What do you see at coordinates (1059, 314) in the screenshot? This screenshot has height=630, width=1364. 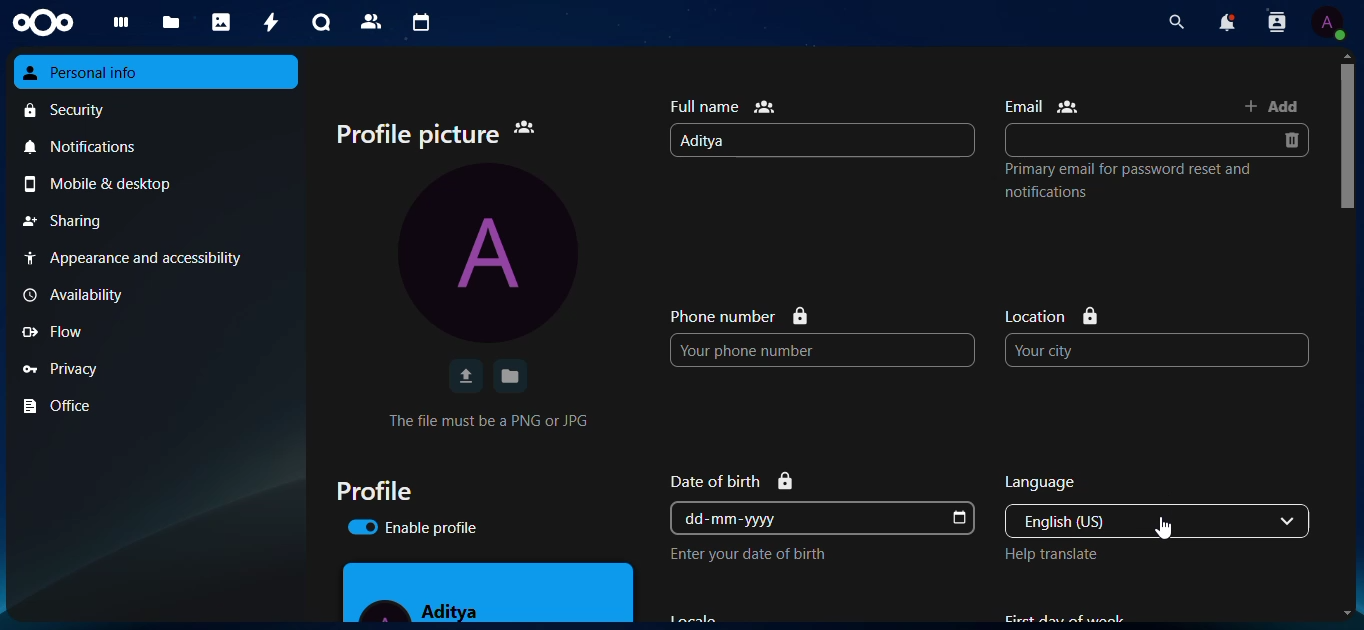 I see `location` at bounding box center [1059, 314].